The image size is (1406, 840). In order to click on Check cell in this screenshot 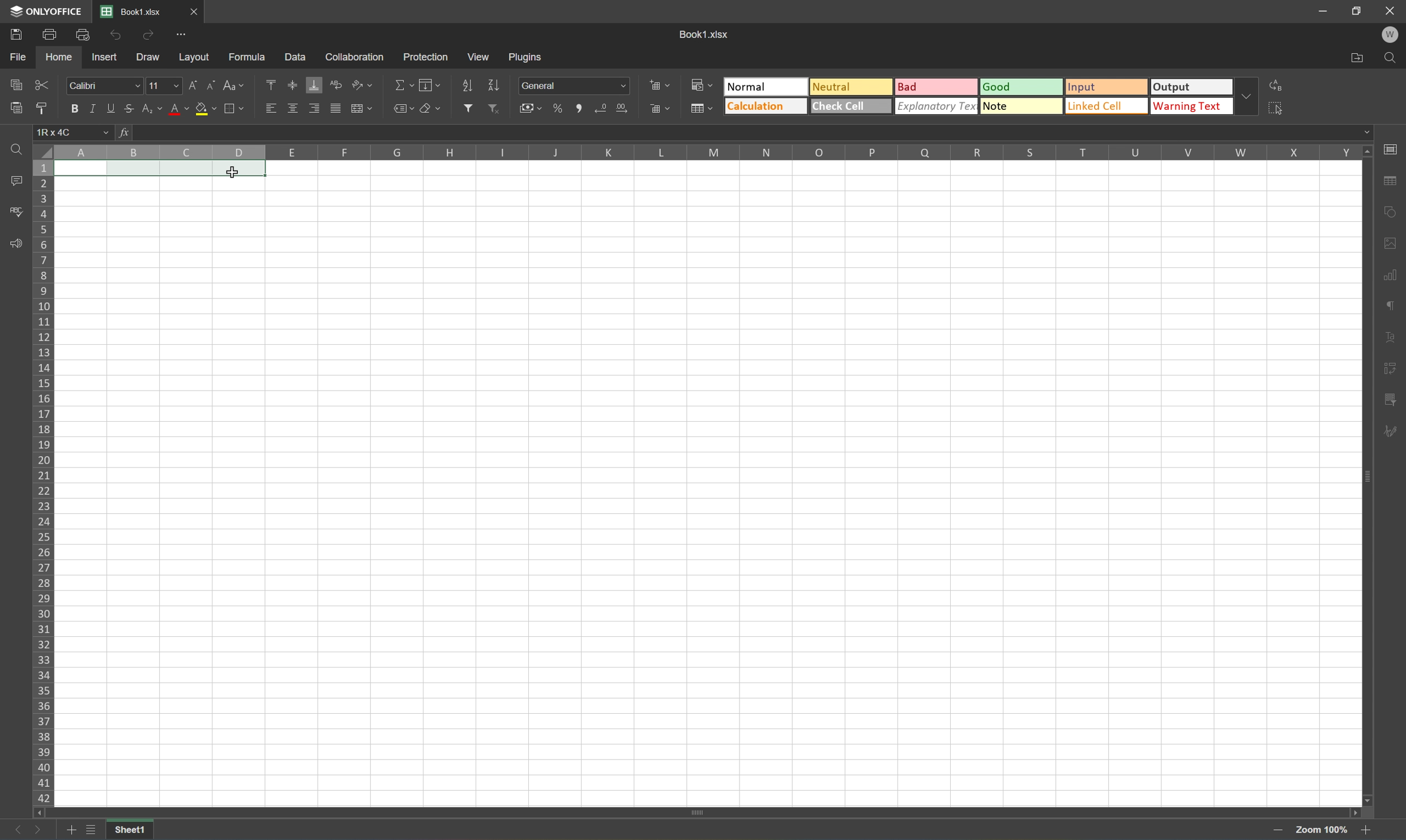, I will do `click(850, 106)`.